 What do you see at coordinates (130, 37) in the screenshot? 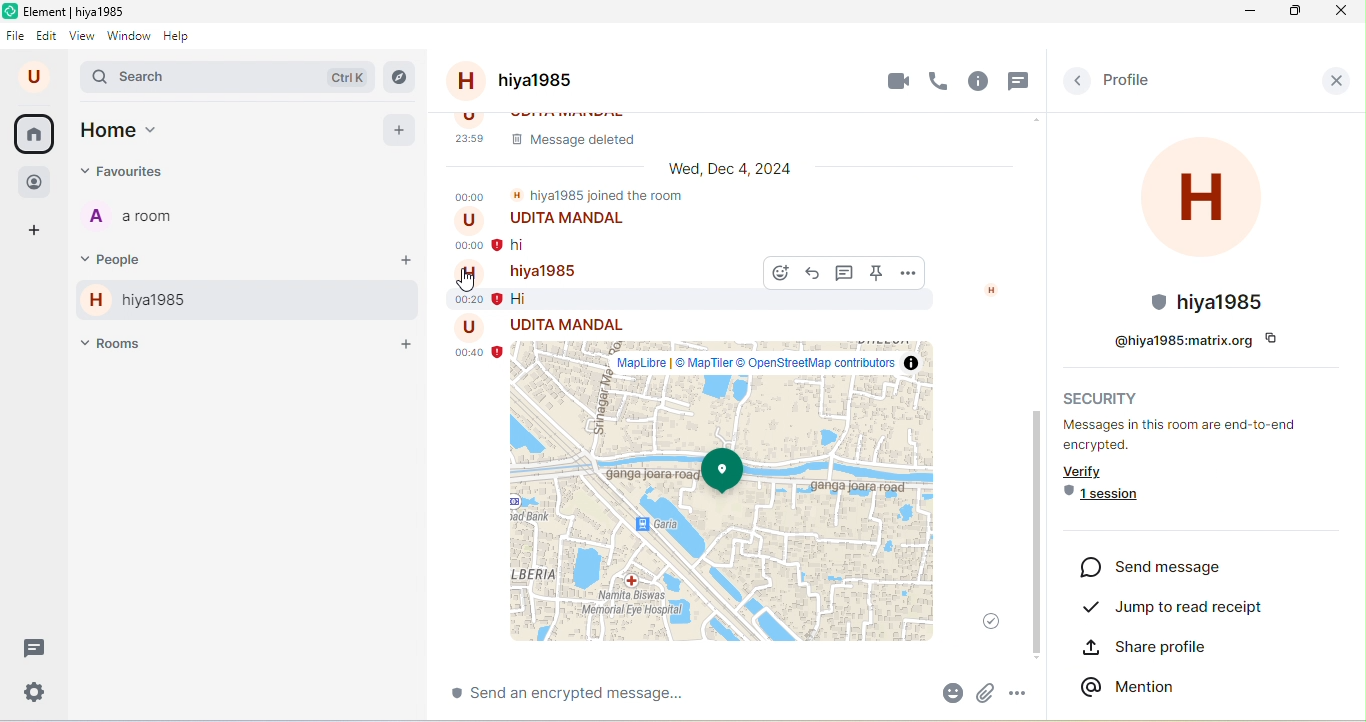
I see `window` at bounding box center [130, 37].